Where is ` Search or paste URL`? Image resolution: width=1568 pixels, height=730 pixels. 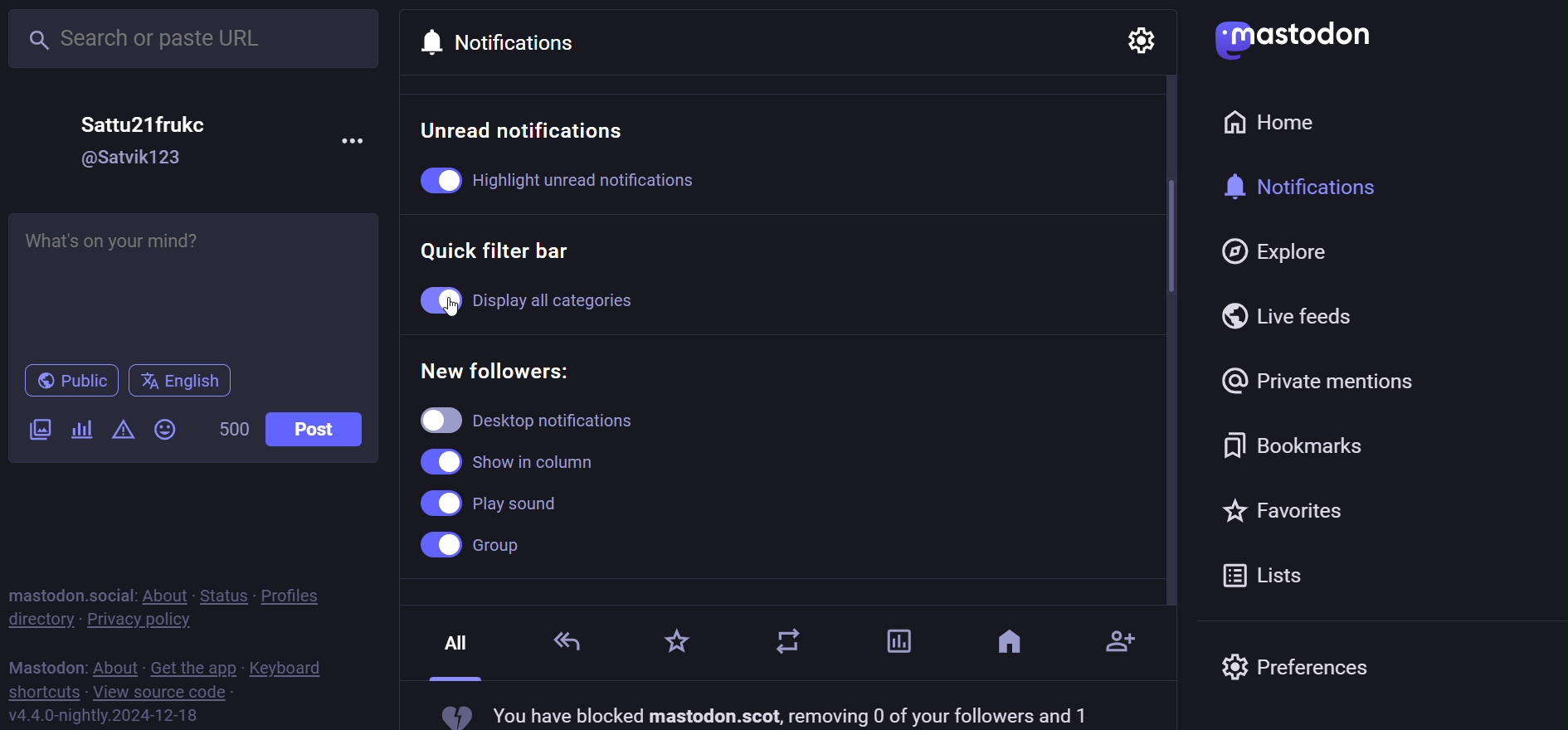
 Search or paste URL is located at coordinates (196, 39).